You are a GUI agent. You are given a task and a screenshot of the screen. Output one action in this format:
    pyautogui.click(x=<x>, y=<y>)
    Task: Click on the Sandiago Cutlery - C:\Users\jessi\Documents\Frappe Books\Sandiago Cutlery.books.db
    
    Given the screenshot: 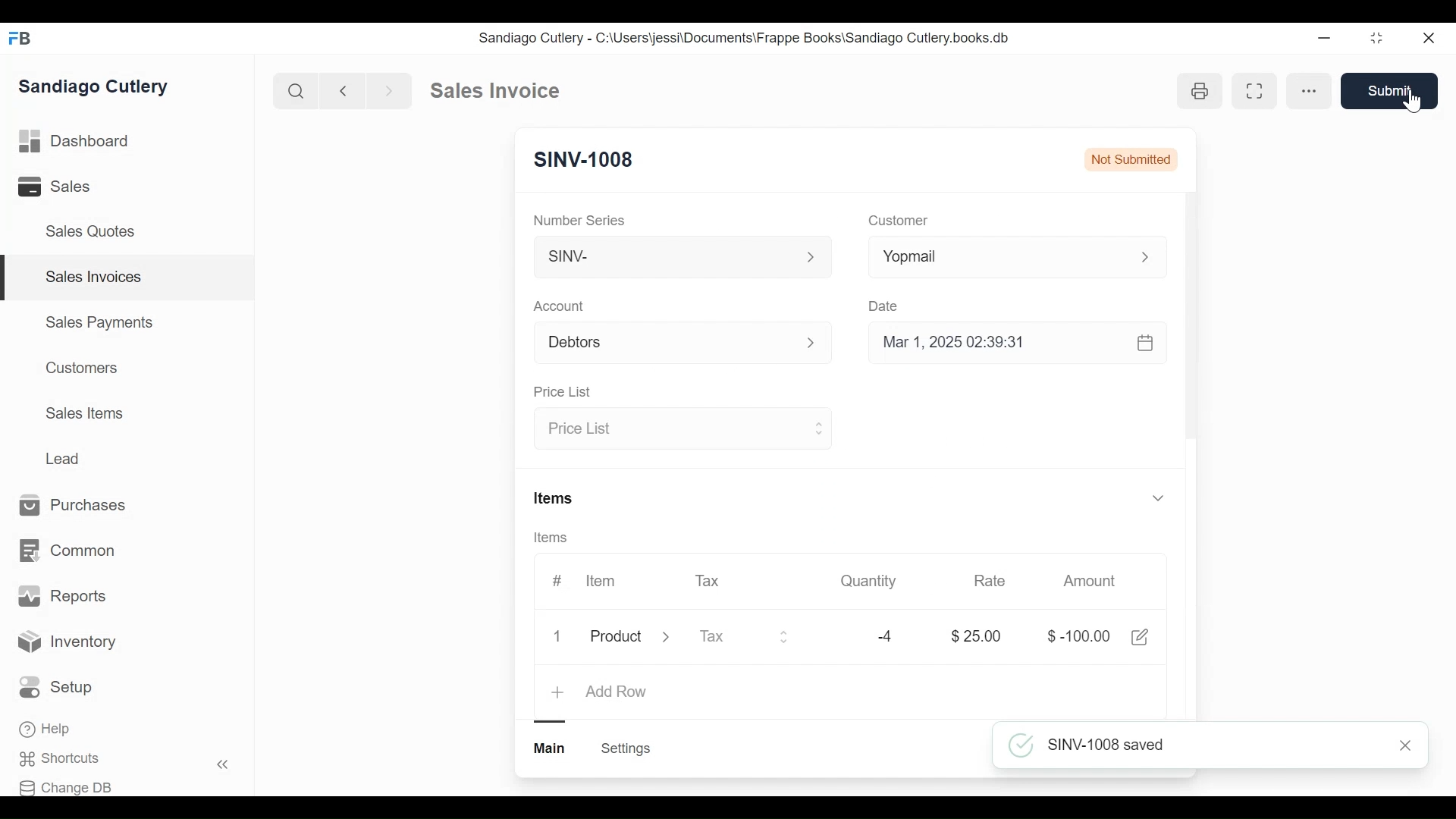 What is the action you would take?
    pyautogui.click(x=745, y=39)
    